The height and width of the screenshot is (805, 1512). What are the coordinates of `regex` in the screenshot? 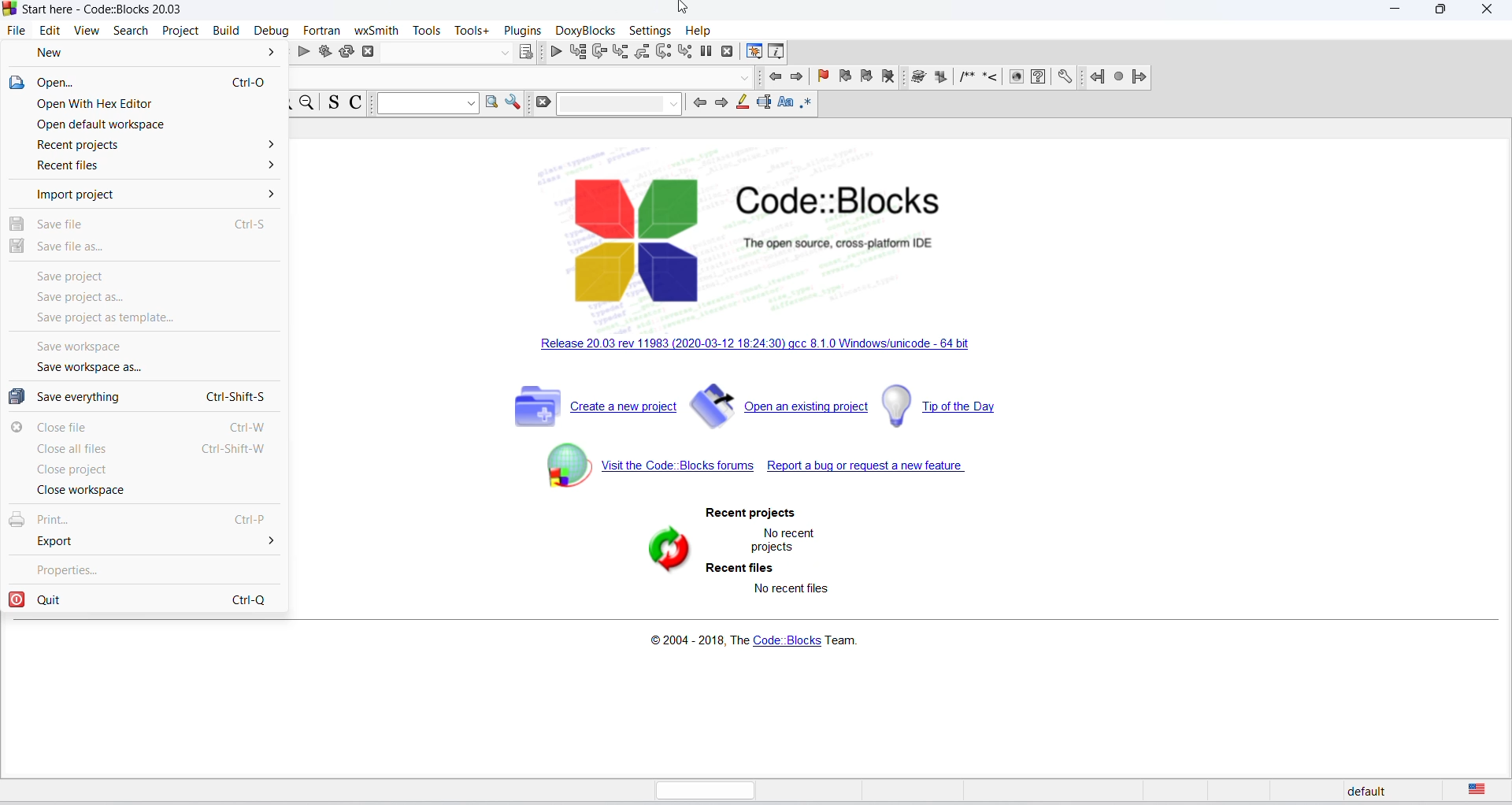 It's located at (806, 106).